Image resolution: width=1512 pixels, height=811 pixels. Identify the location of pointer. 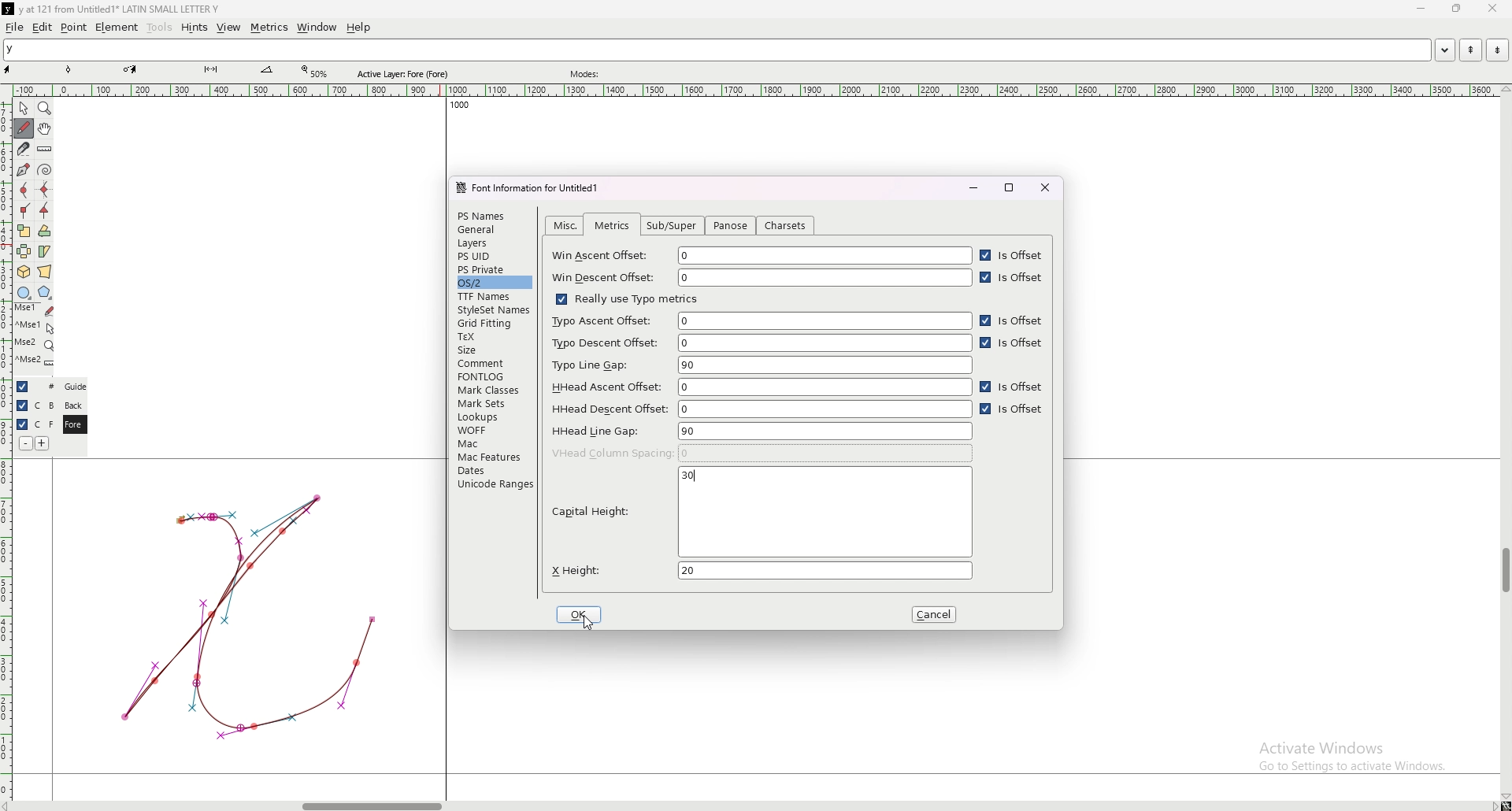
(24, 109).